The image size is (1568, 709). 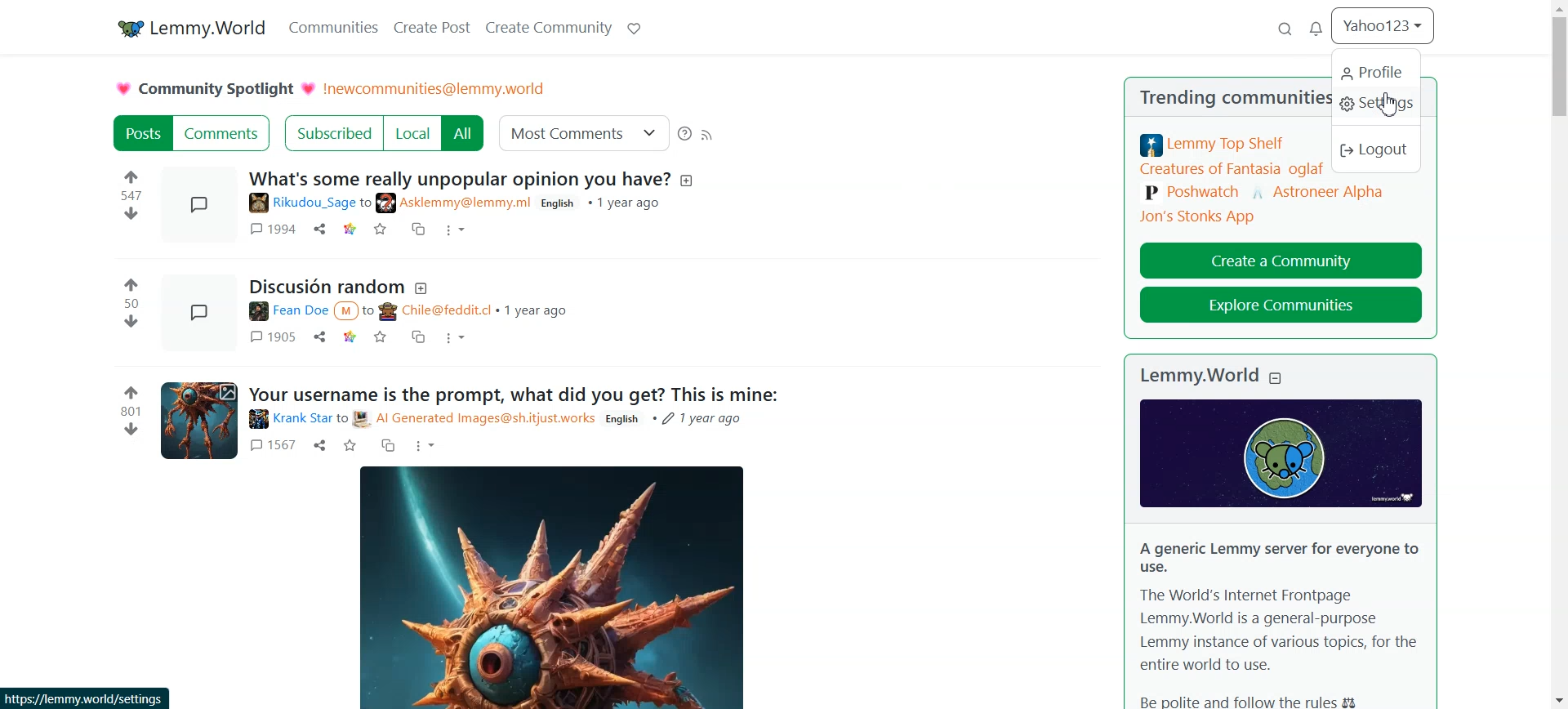 I want to click on upvote, so click(x=131, y=175).